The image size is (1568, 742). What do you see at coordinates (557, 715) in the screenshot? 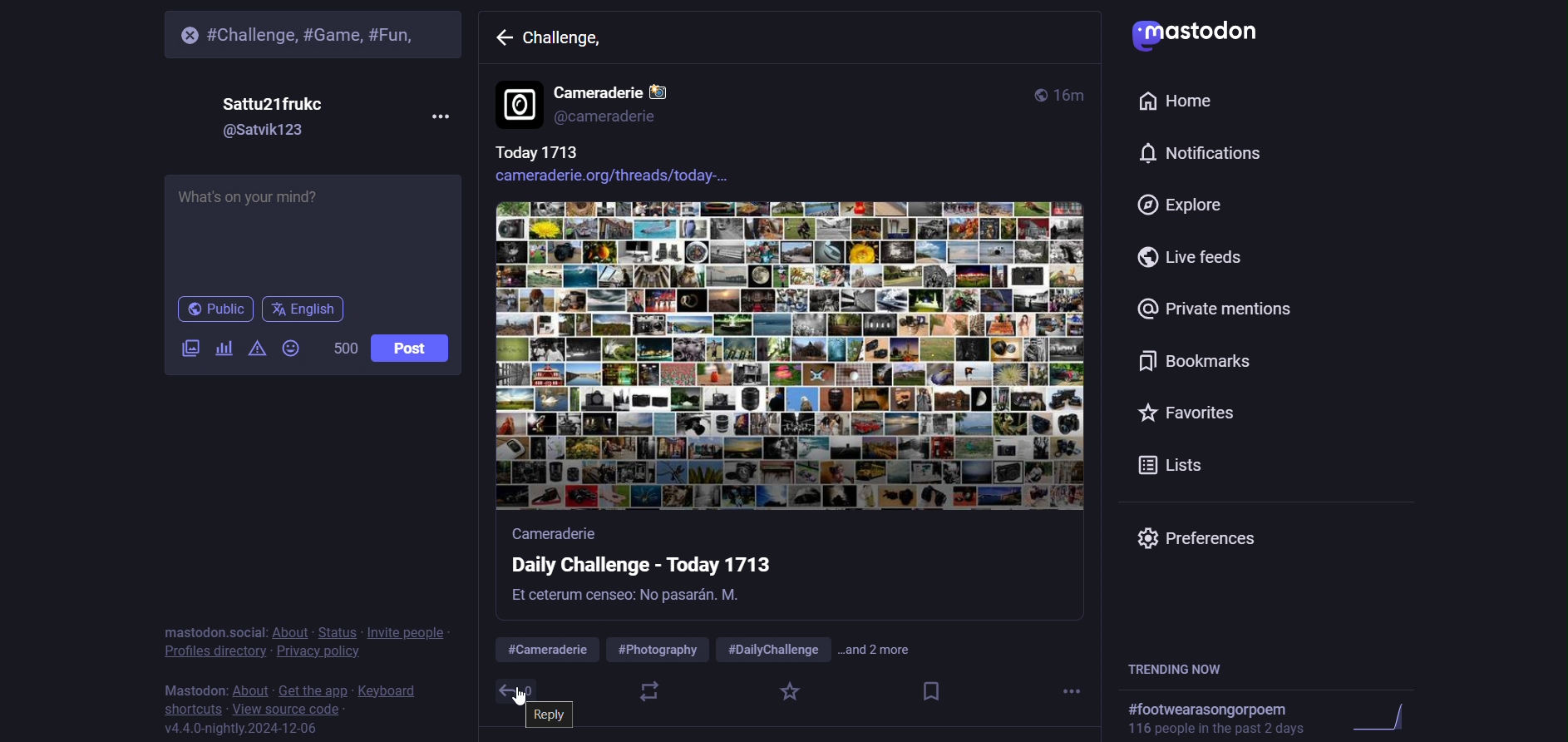
I see `reply` at bounding box center [557, 715].